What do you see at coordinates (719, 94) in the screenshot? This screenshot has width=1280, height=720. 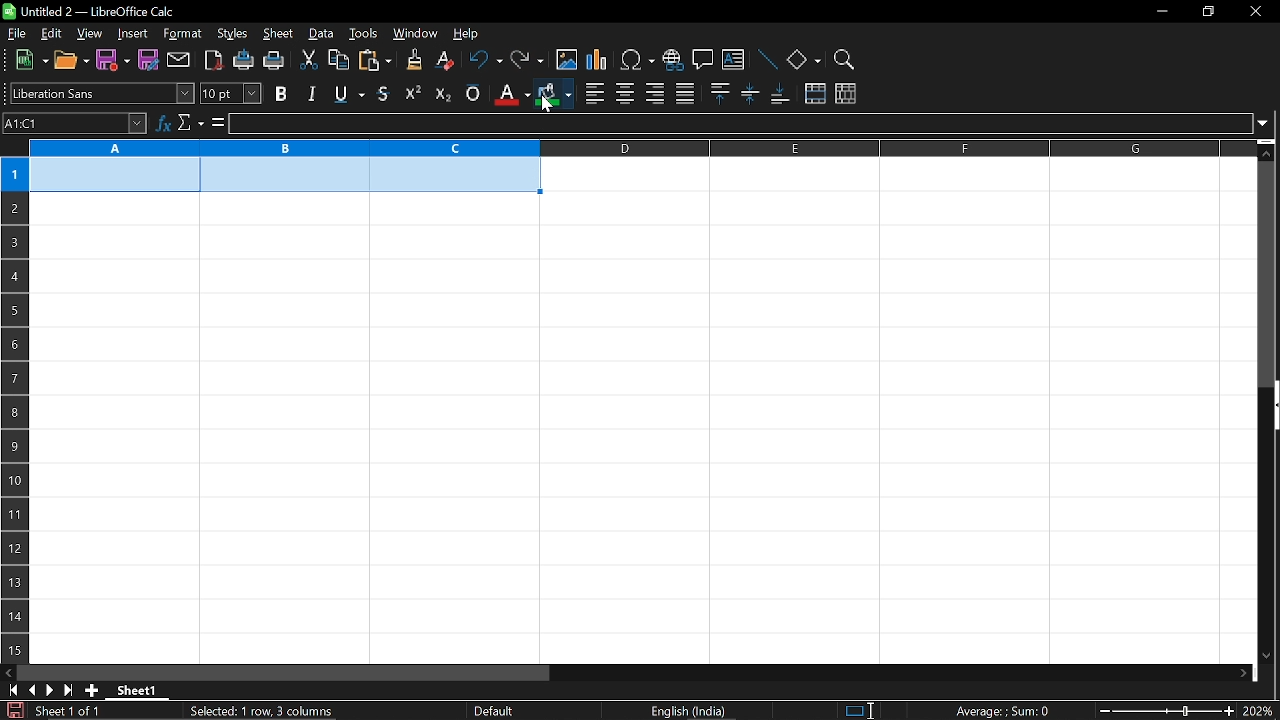 I see `align top` at bounding box center [719, 94].